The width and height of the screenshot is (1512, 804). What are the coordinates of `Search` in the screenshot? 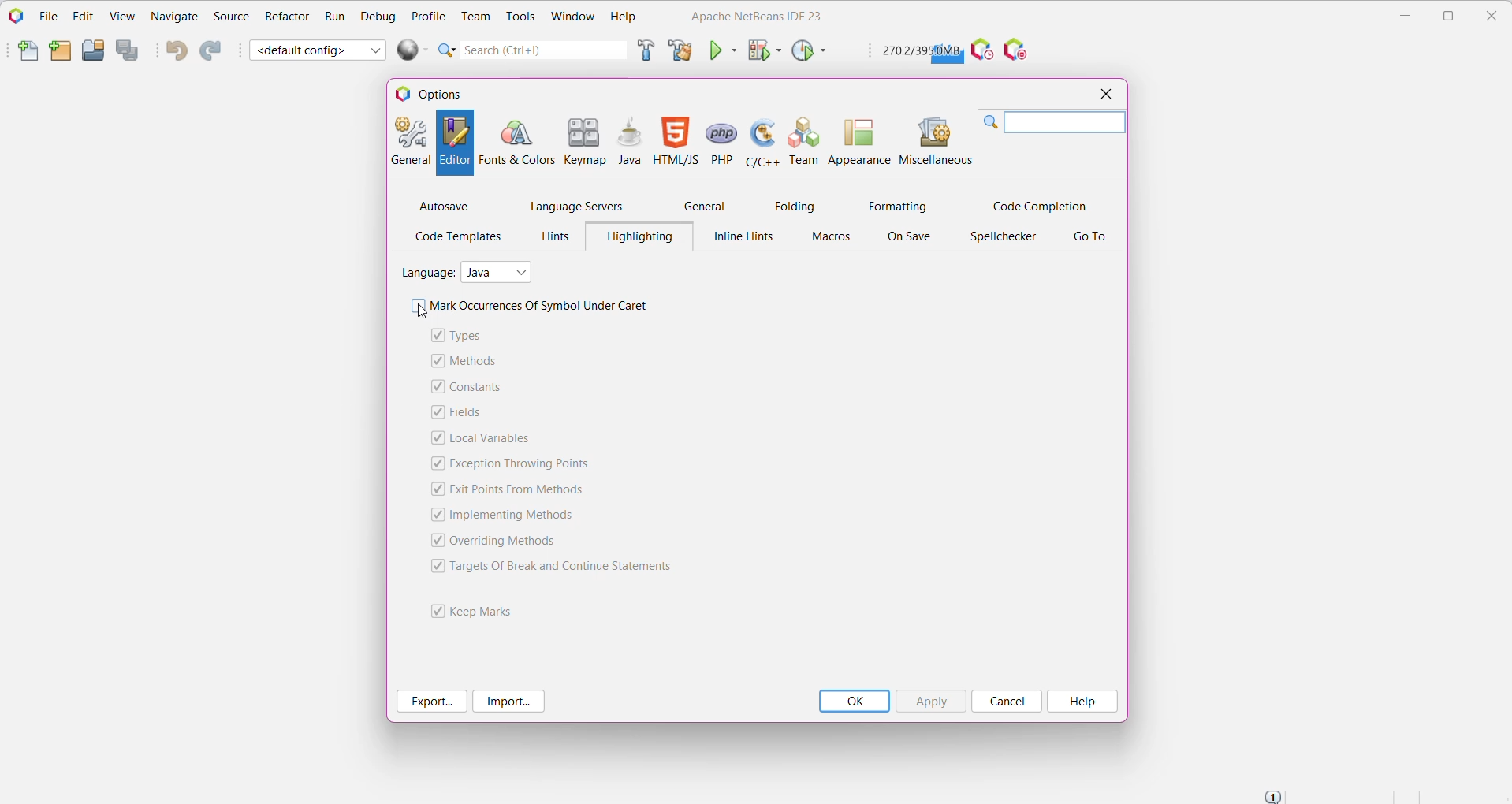 It's located at (1052, 123).